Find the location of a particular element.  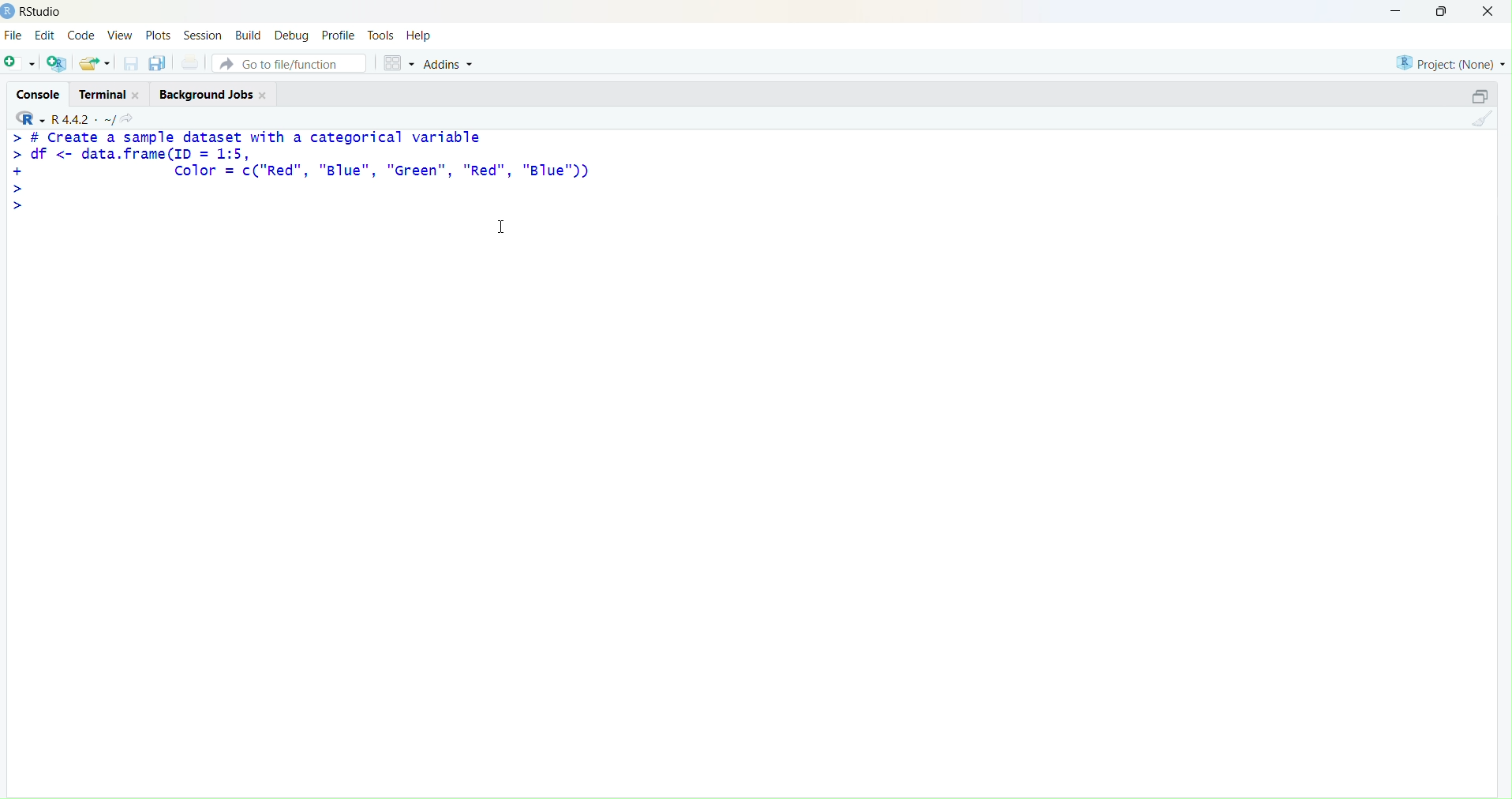

addins is located at coordinates (451, 65).